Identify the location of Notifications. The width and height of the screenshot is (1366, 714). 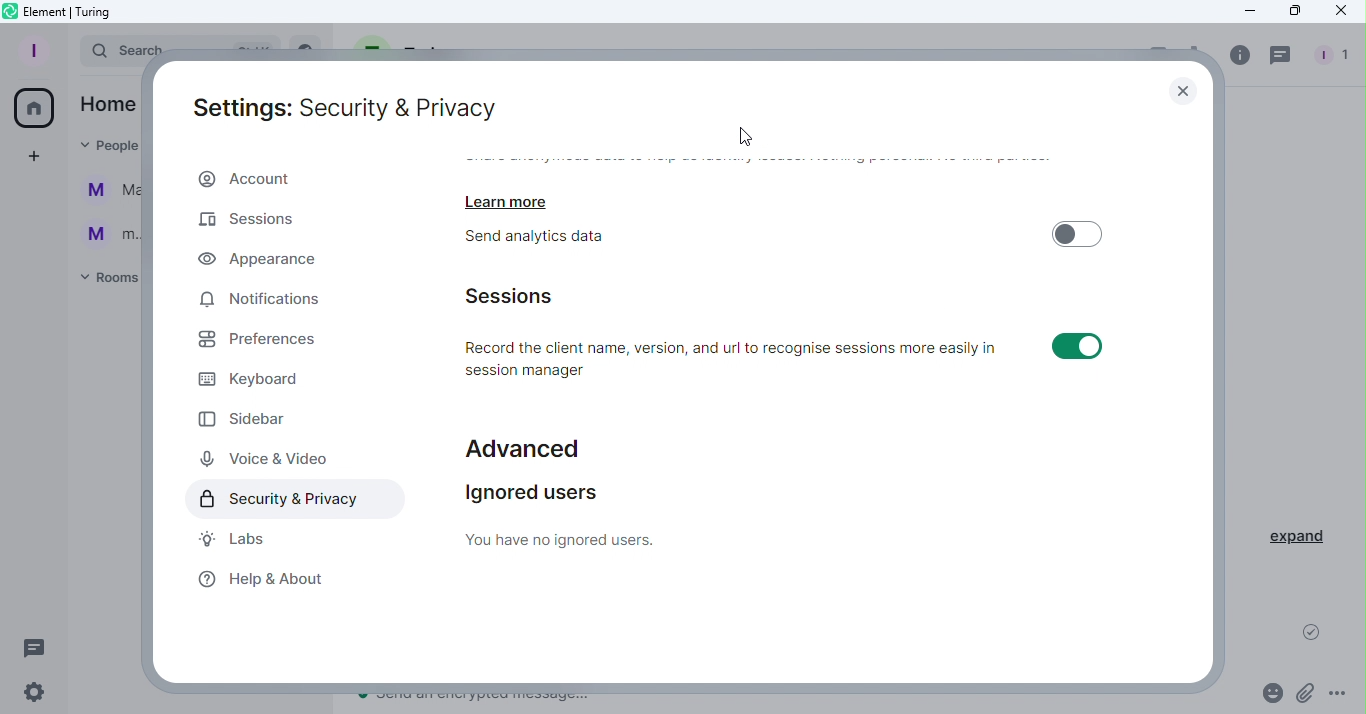
(262, 301).